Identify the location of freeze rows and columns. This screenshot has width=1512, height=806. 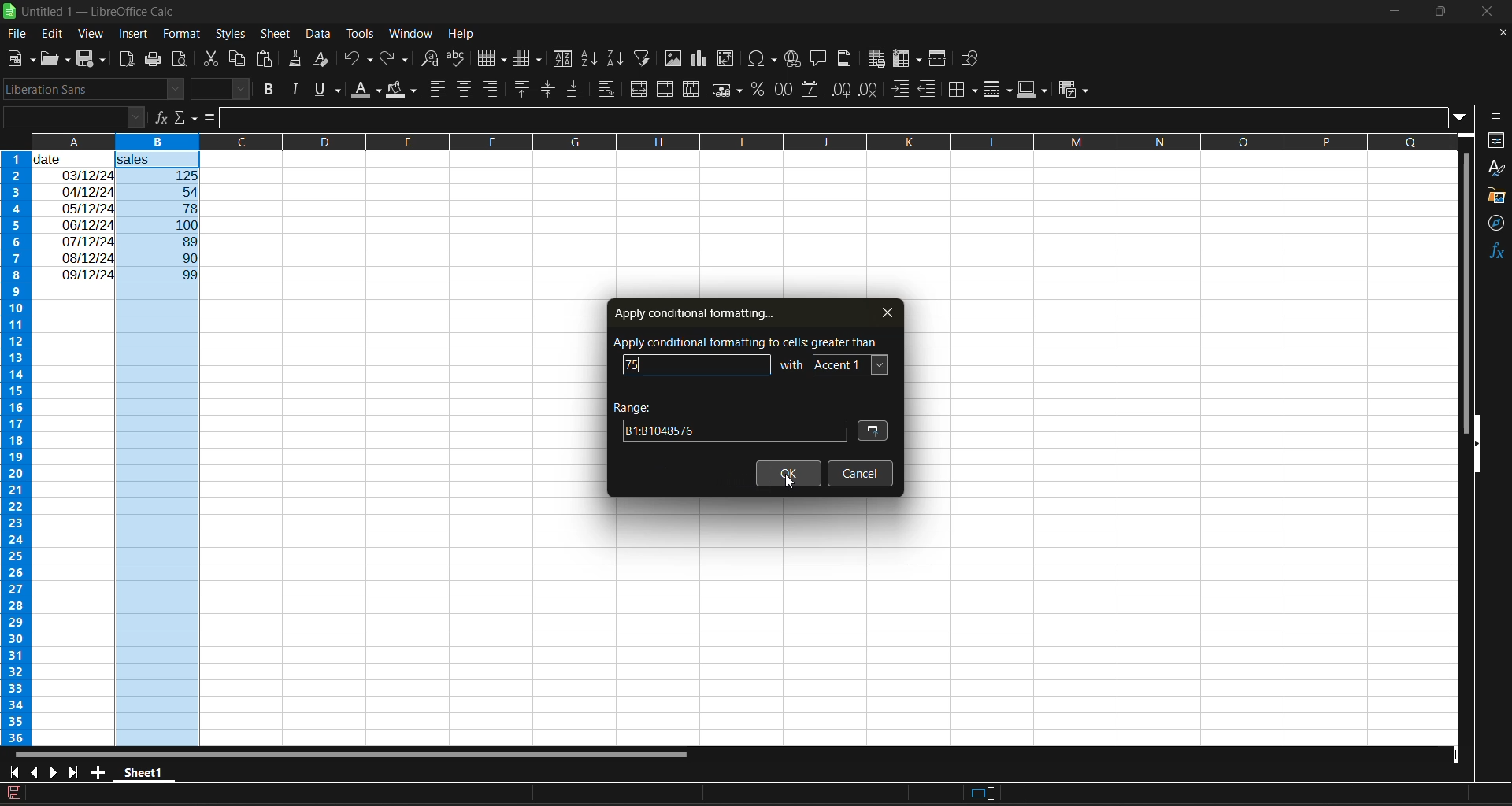
(907, 60).